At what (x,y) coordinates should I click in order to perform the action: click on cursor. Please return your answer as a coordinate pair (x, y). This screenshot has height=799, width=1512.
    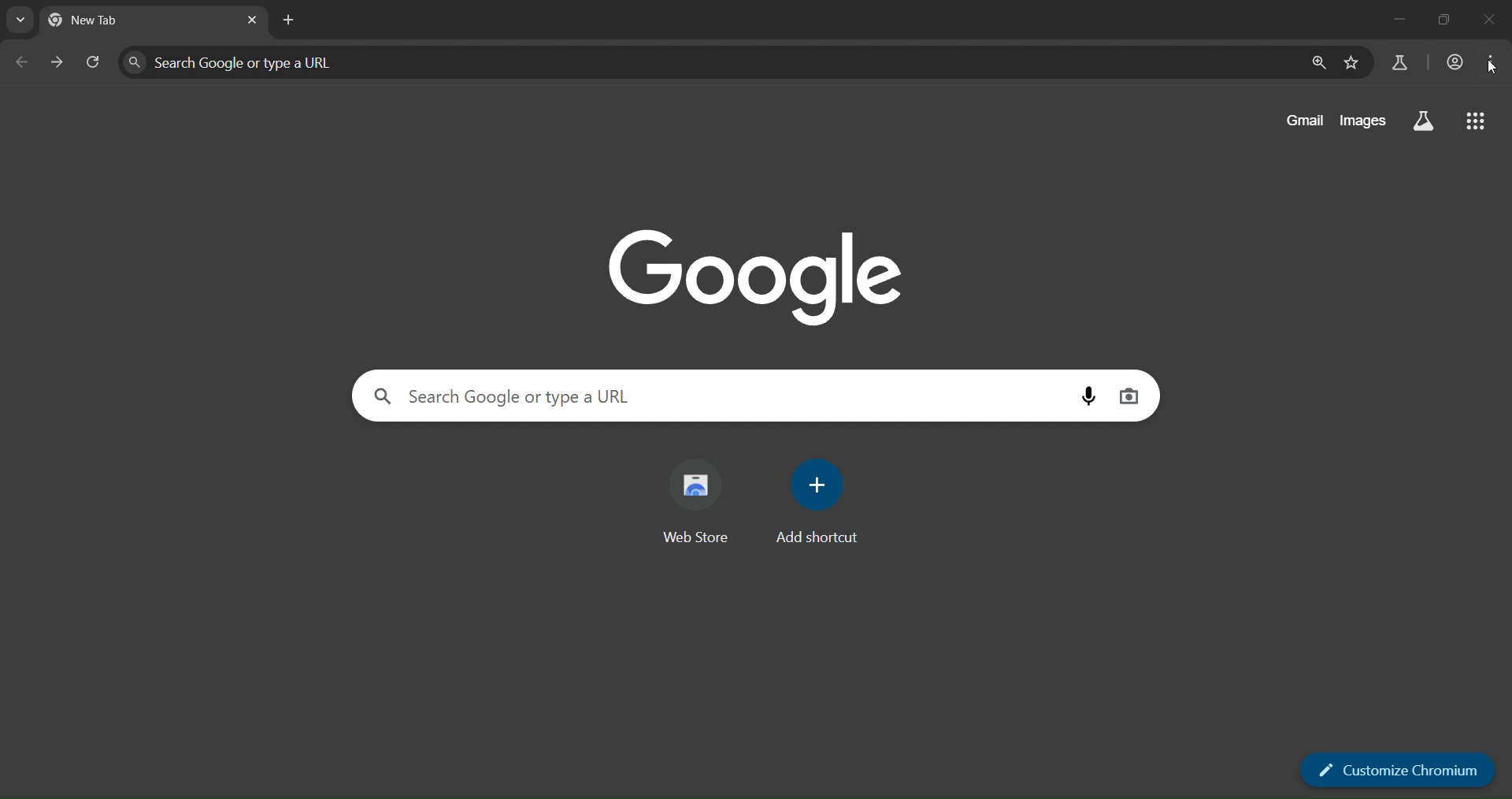
    Looking at the image, I should click on (1492, 67).